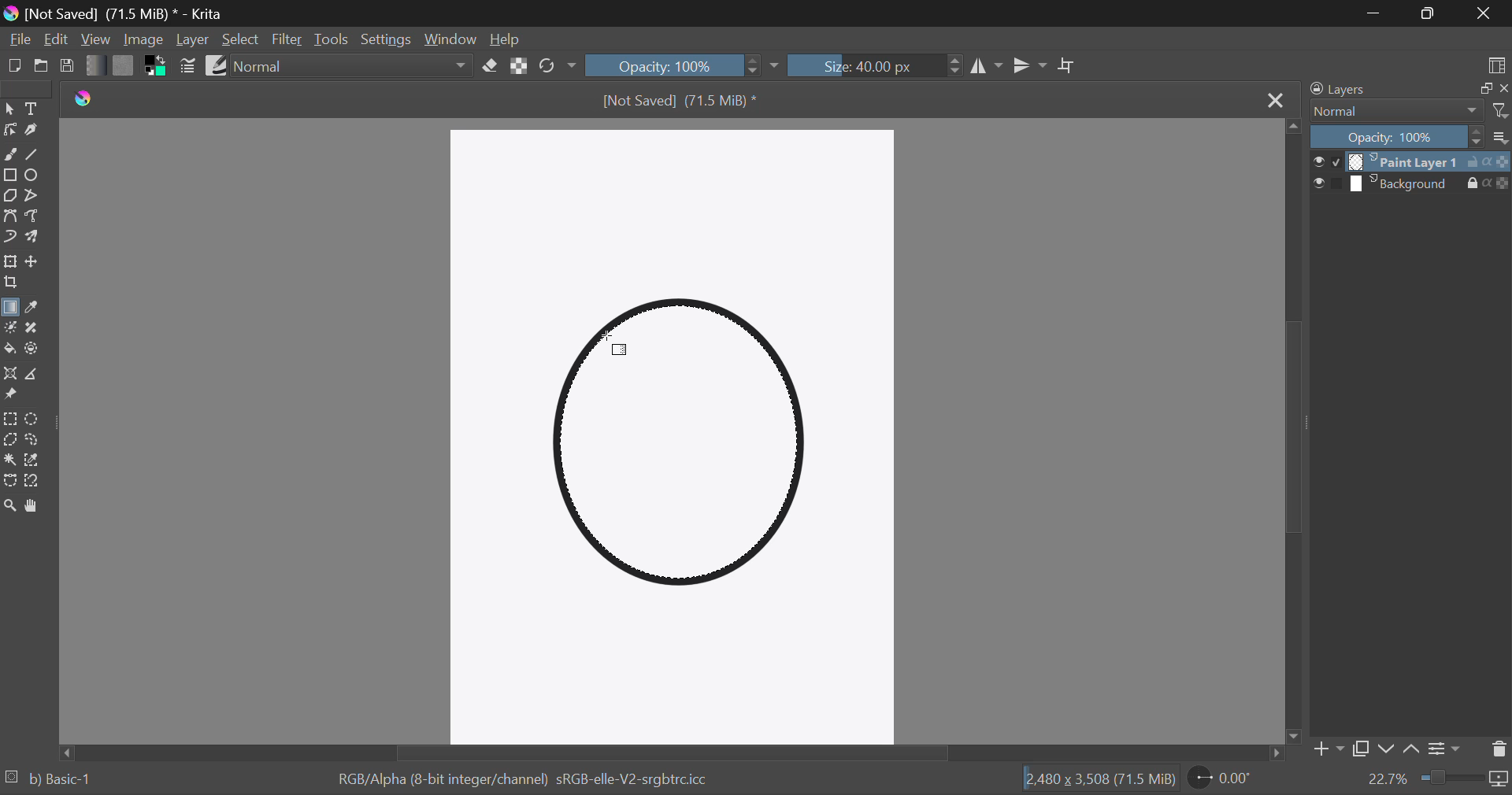  Describe the element at coordinates (156, 67) in the screenshot. I see `Colors in use` at that location.